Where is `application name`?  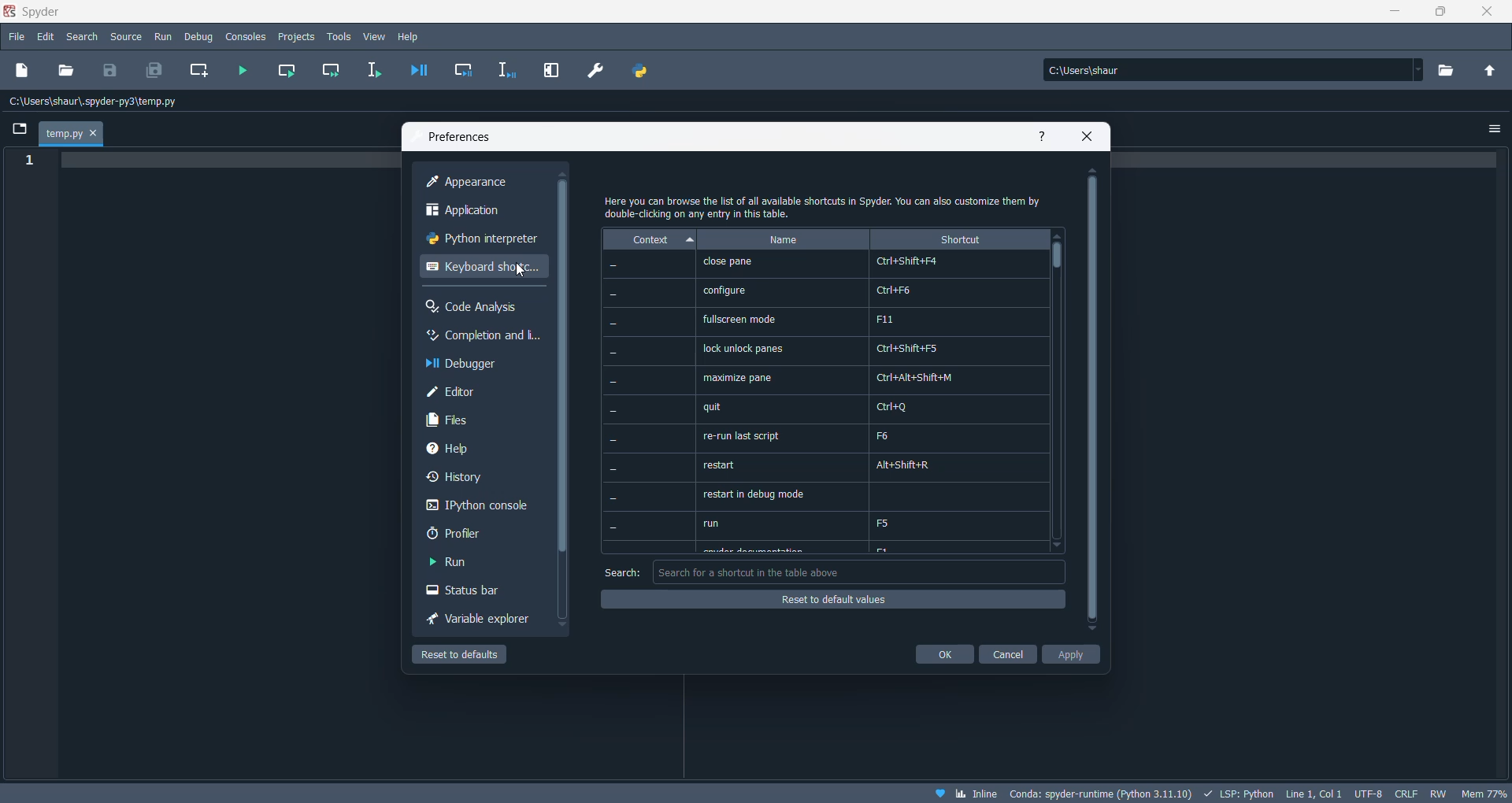 application name is located at coordinates (40, 12).